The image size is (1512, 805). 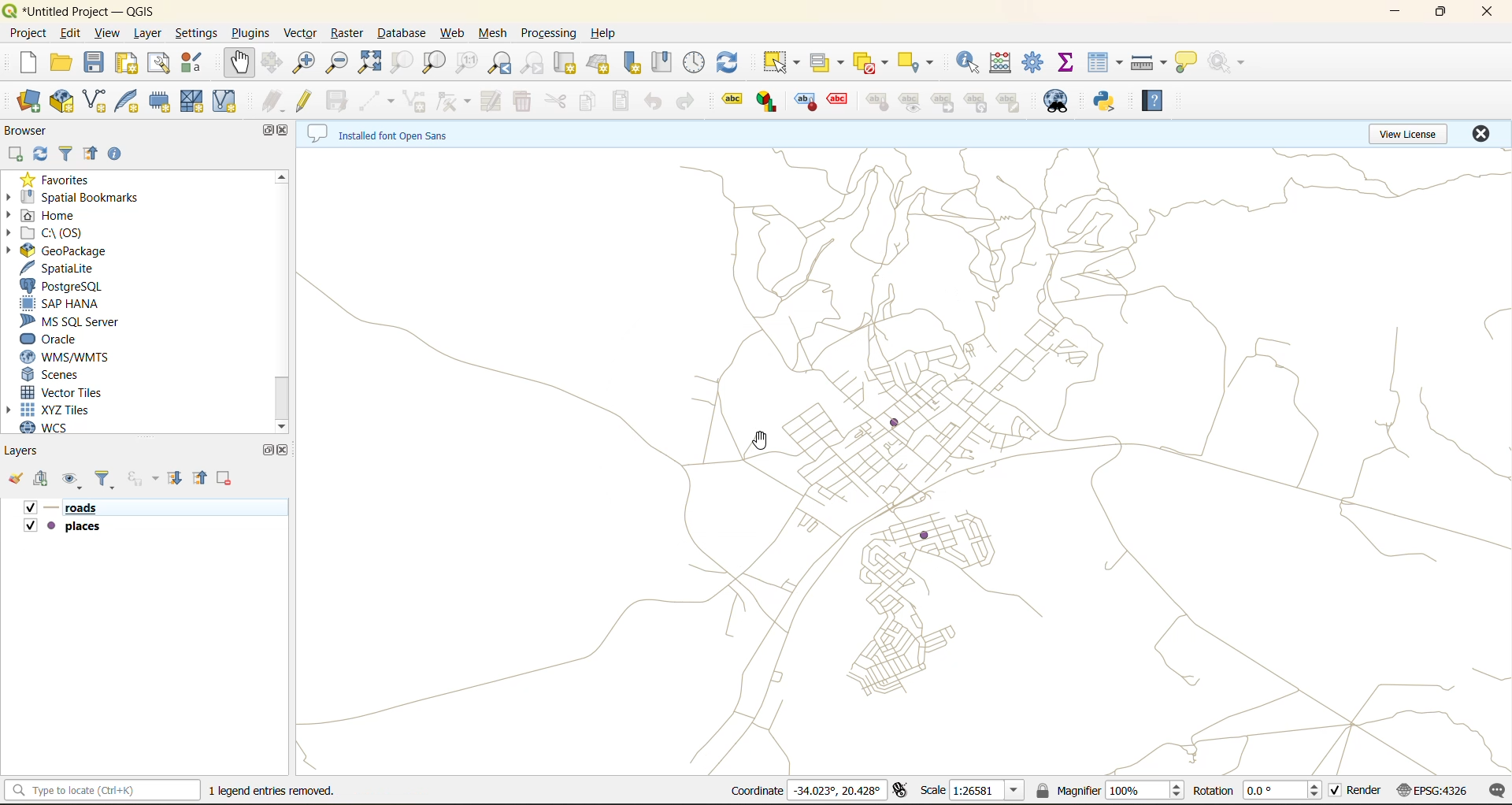 I want to click on manage map, so click(x=76, y=480).